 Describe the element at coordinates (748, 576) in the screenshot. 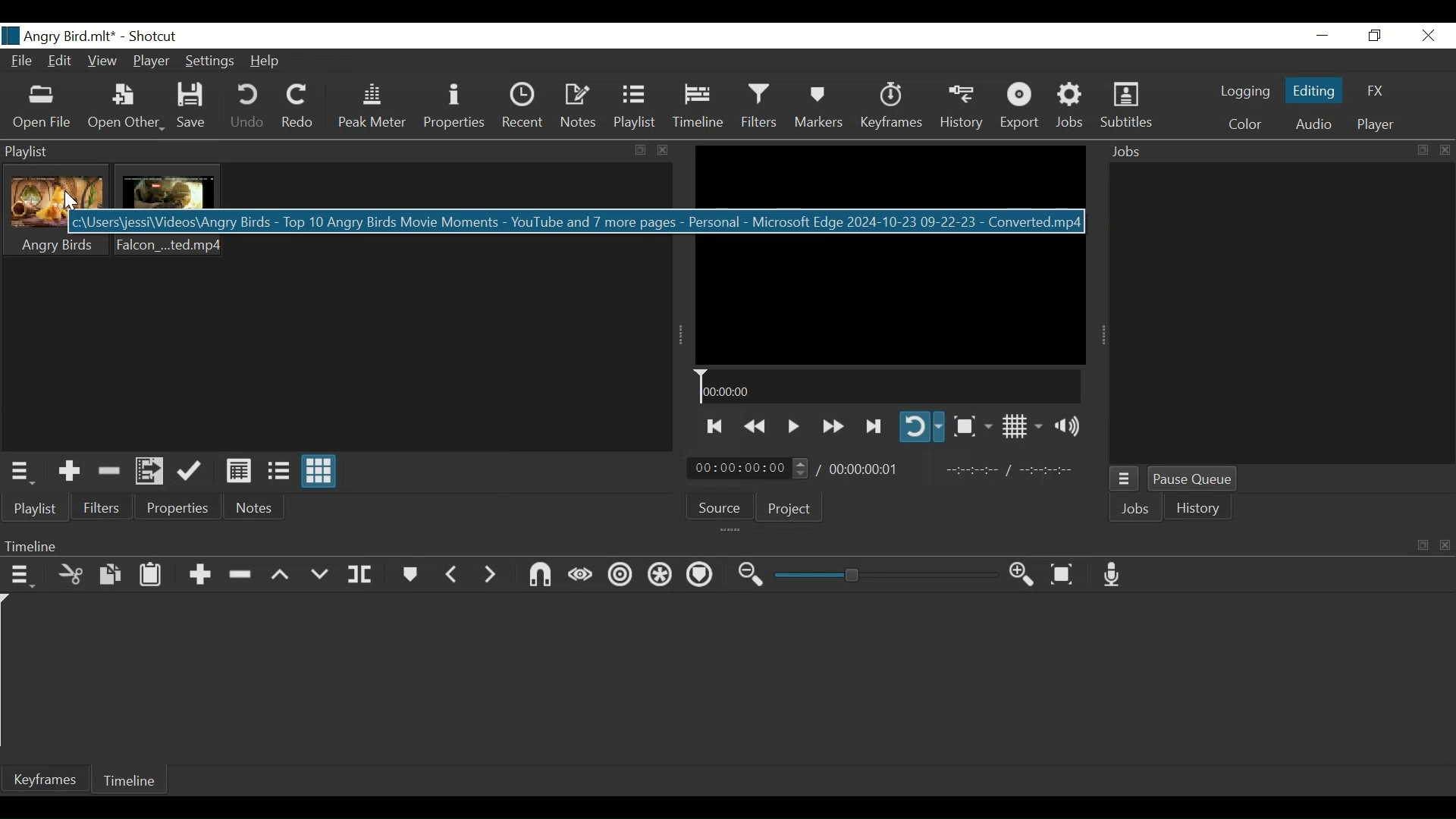

I see `Zoom timeline out` at that location.